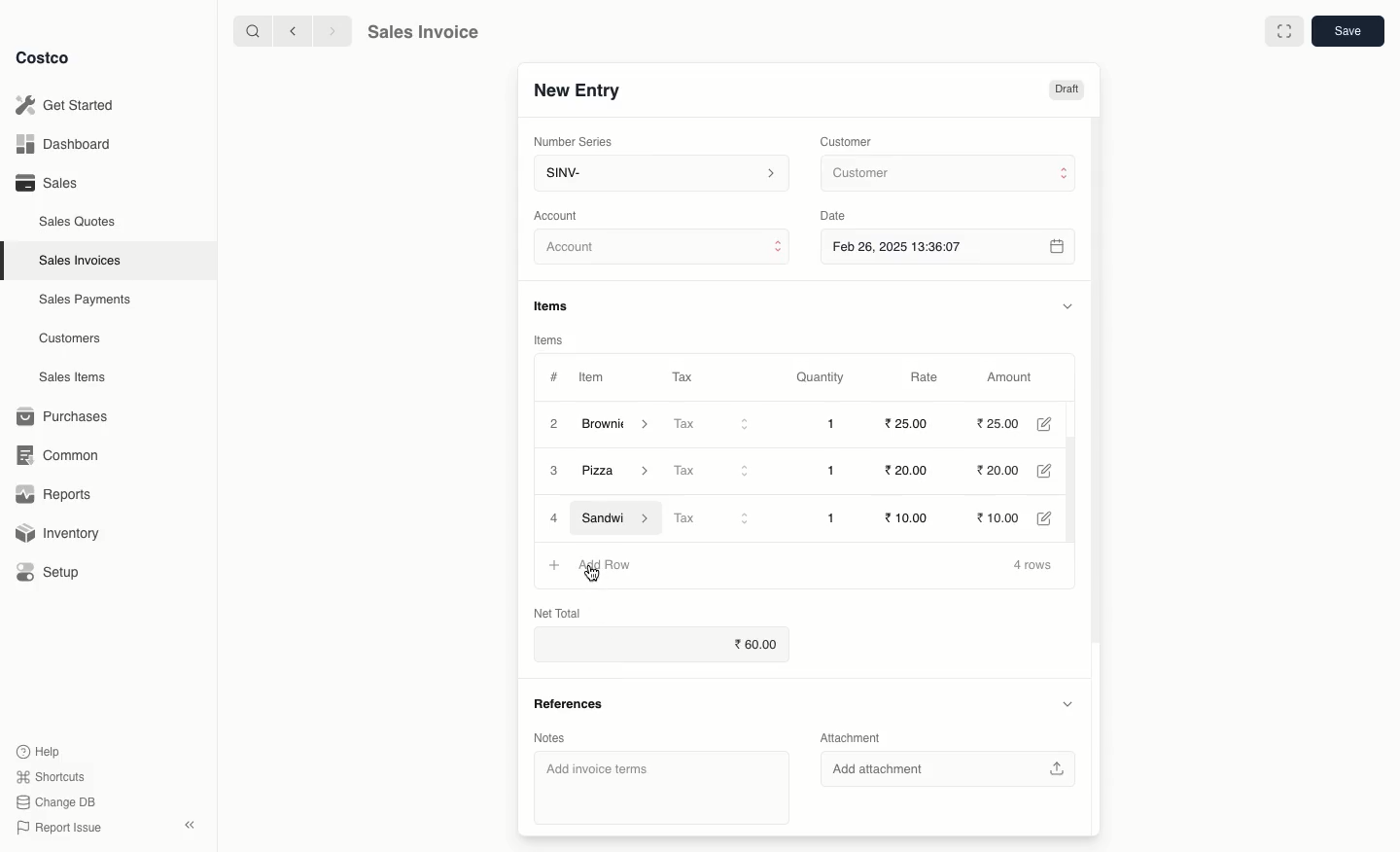 This screenshot has height=852, width=1400. What do you see at coordinates (904, 471) in the screenshot?
I see `20.00` at bounding box center [904, 471].